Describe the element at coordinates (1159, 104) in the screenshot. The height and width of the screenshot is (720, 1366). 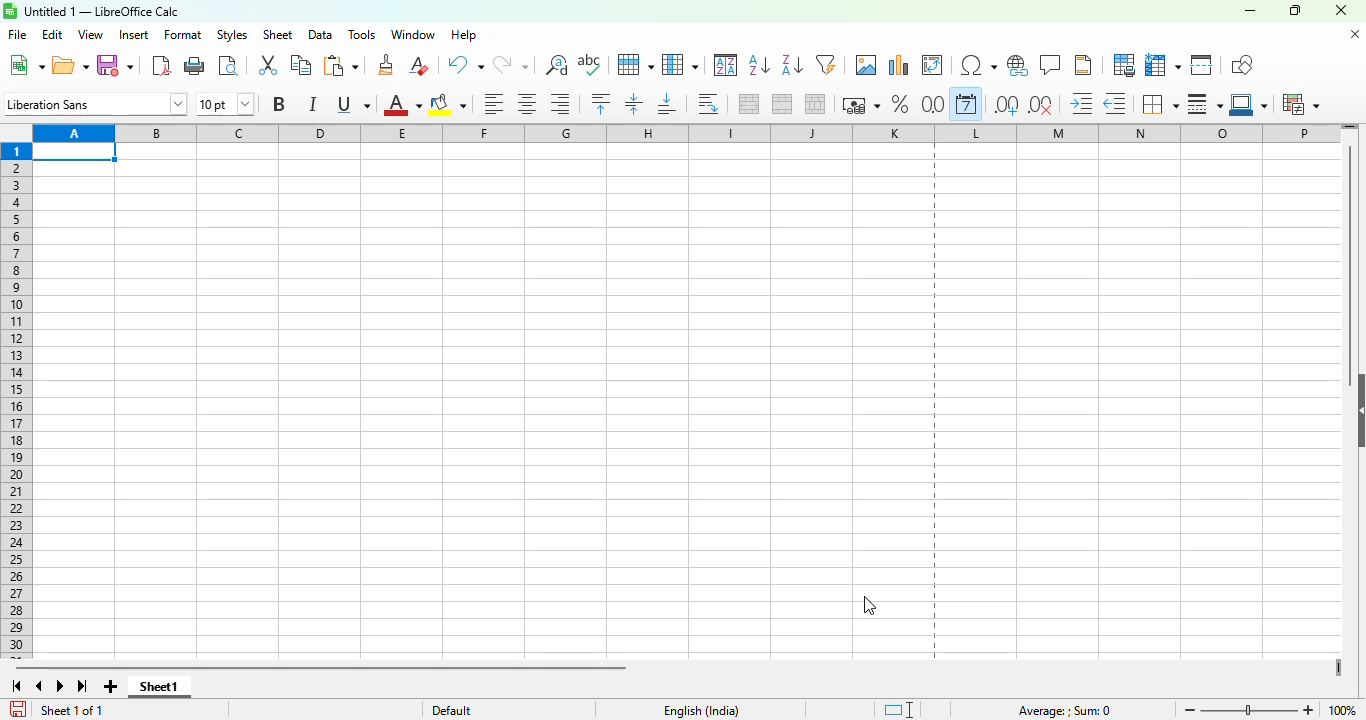
I see `borders` at that location.